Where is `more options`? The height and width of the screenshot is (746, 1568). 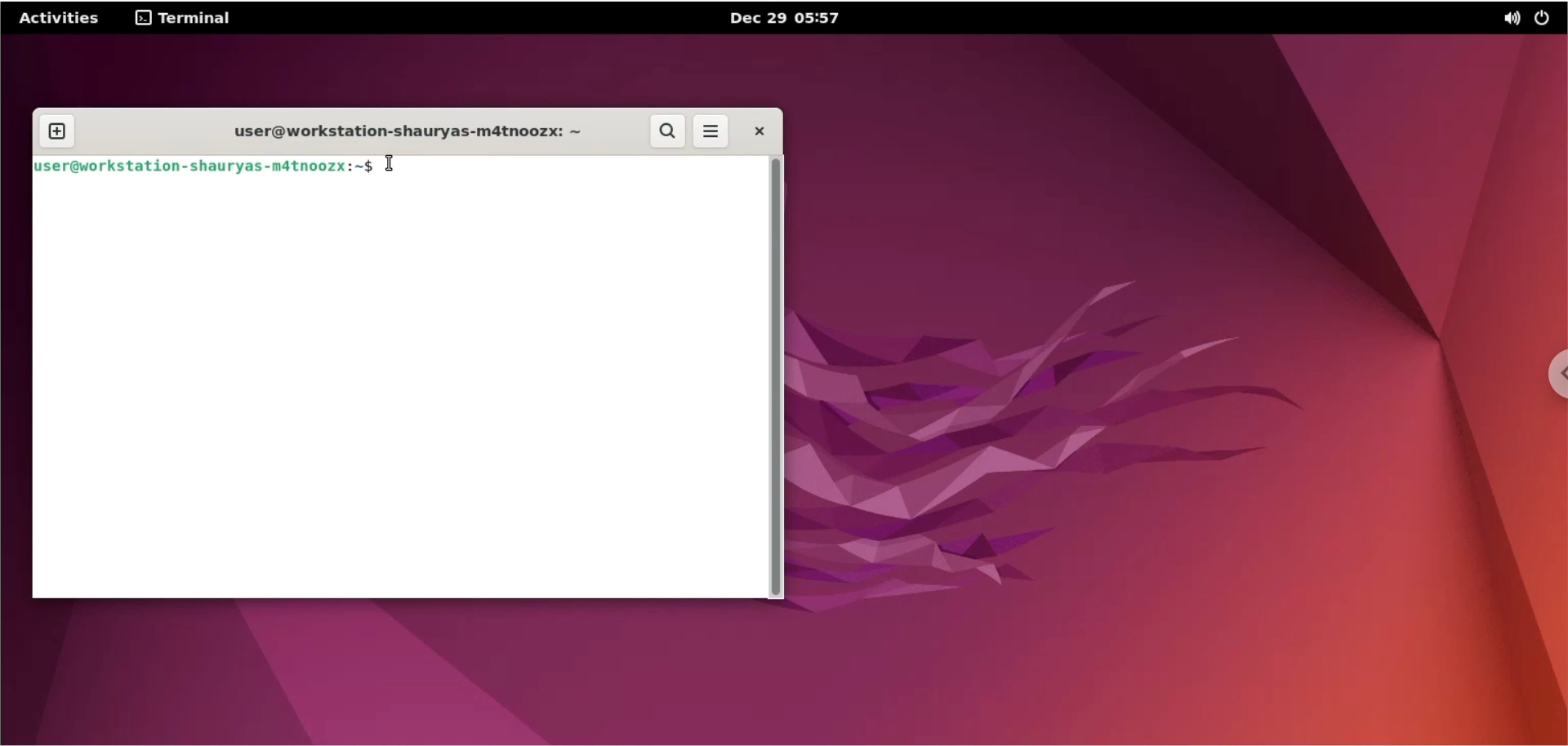 more options is located at coordinates (712, 132).